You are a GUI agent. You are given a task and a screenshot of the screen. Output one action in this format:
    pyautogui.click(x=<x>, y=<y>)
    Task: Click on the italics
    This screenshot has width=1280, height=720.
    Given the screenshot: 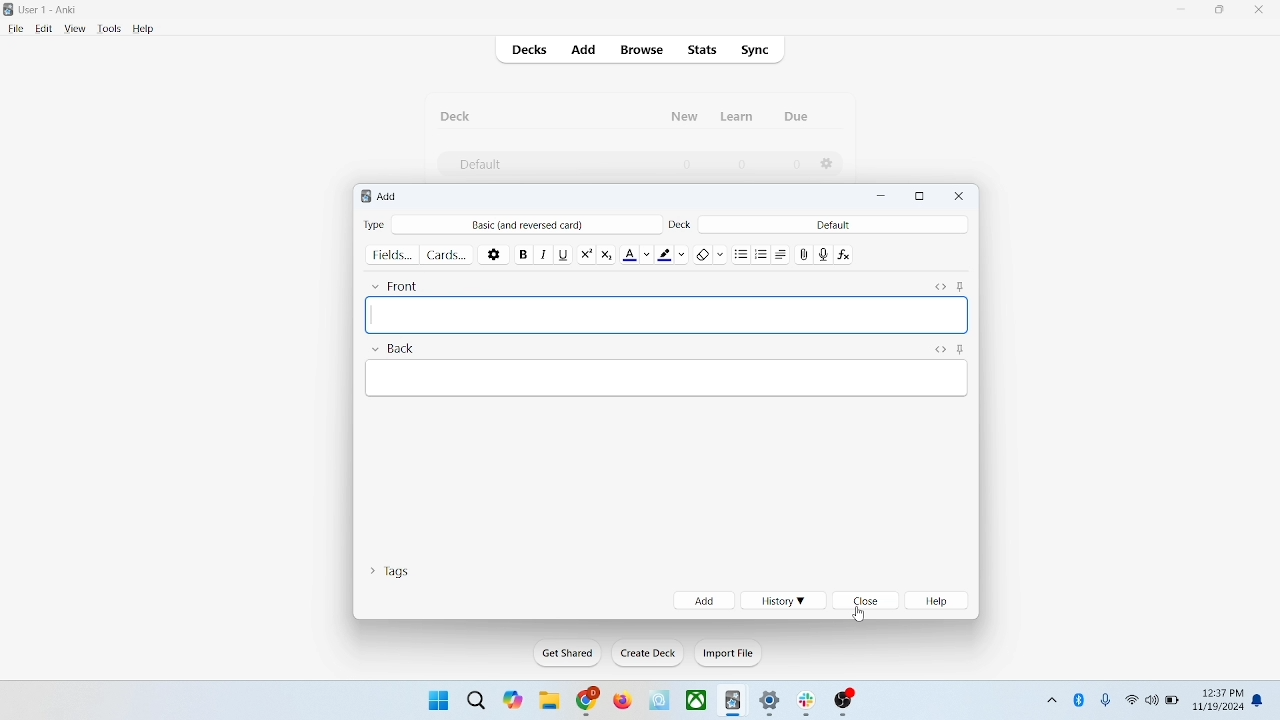 What is the action you would take?
    pyautogui.click(x=541, y=253)
    